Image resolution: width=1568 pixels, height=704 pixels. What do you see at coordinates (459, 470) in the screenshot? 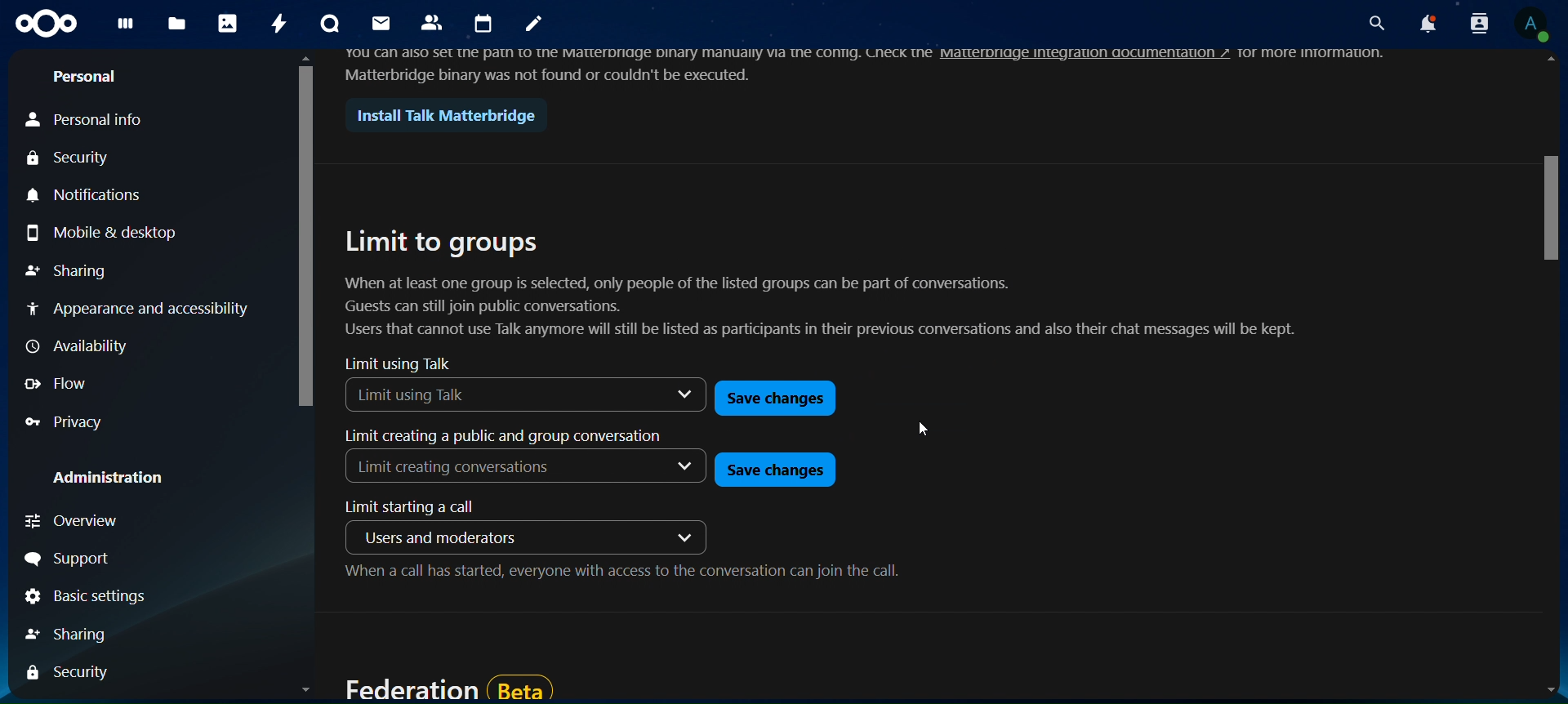
I see `Limit creating conversations selected` at bounding box center [459, 470].